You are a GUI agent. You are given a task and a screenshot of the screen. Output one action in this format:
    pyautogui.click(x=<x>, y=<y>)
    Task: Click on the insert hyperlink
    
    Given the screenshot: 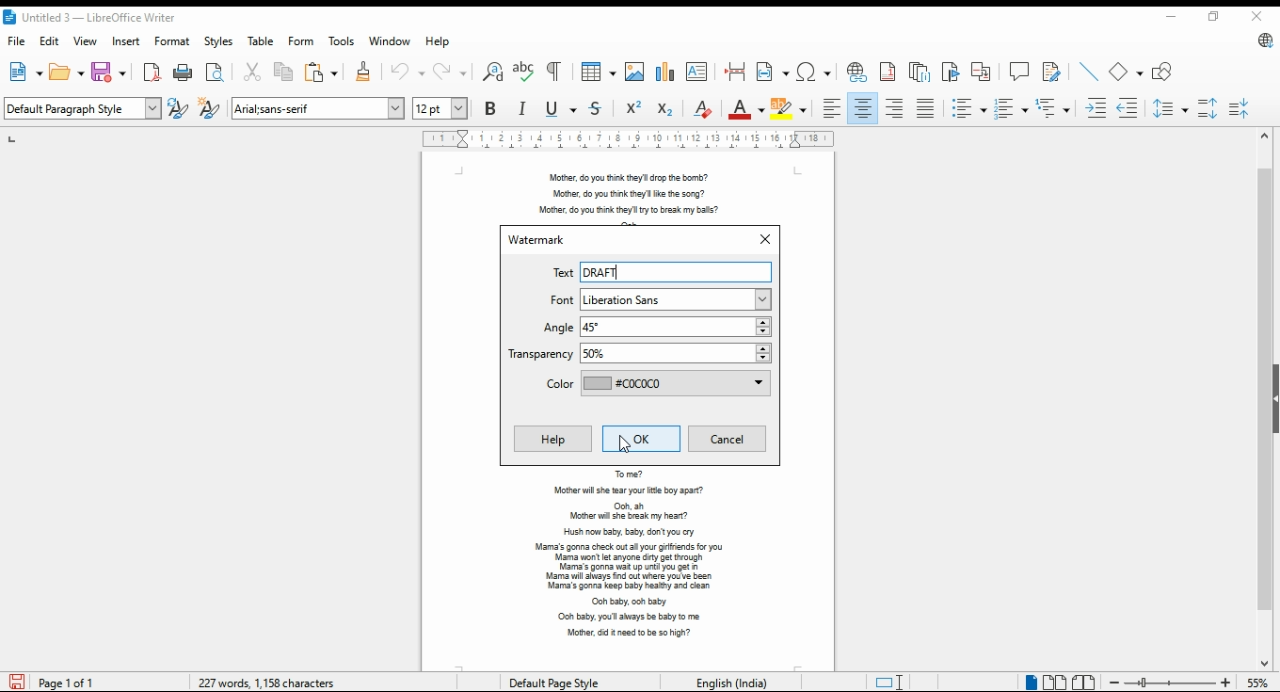 What is the action you would take?
    pyautogui.click(x=854, y=72)
    